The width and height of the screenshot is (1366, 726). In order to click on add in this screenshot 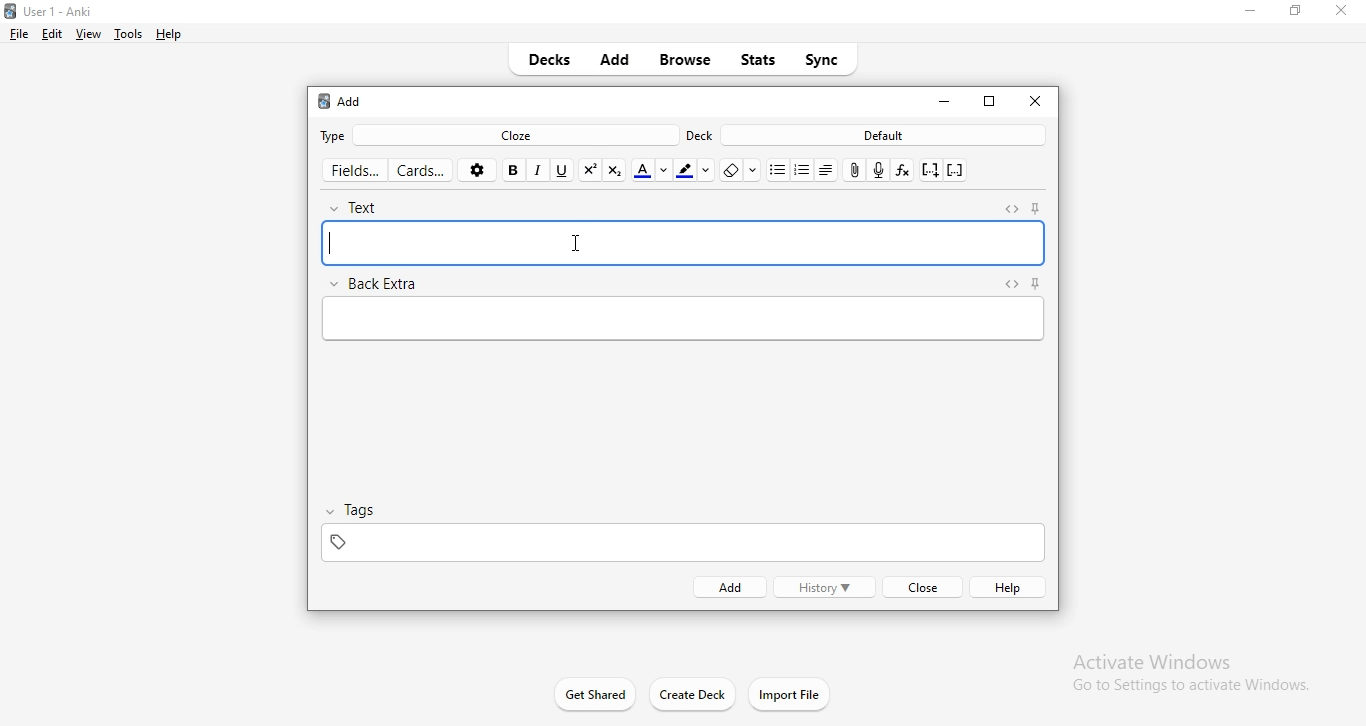, I will do `click(340, 102)`.